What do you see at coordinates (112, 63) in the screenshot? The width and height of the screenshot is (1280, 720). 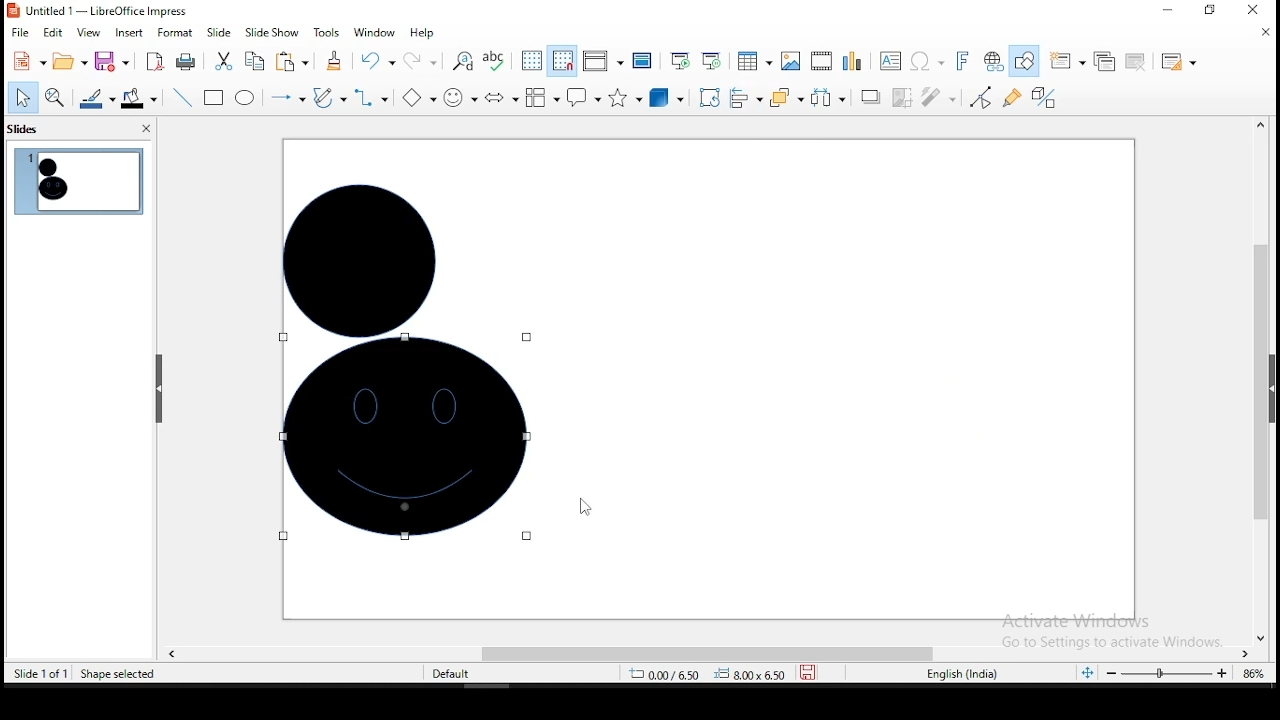 I see `save` at bounding box center [112, 63].